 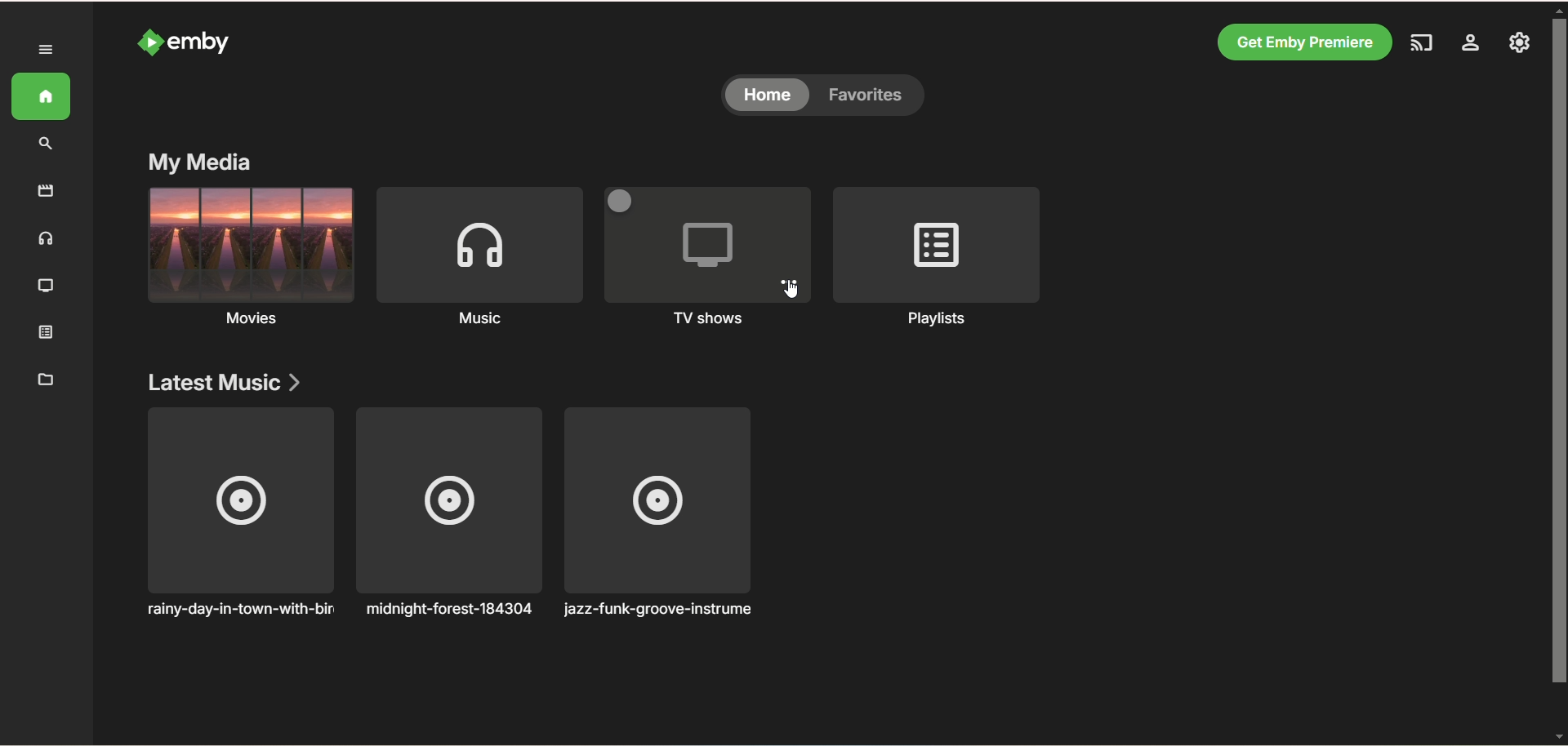 I want to click on manage emby server, so click(x=1521, y=44).